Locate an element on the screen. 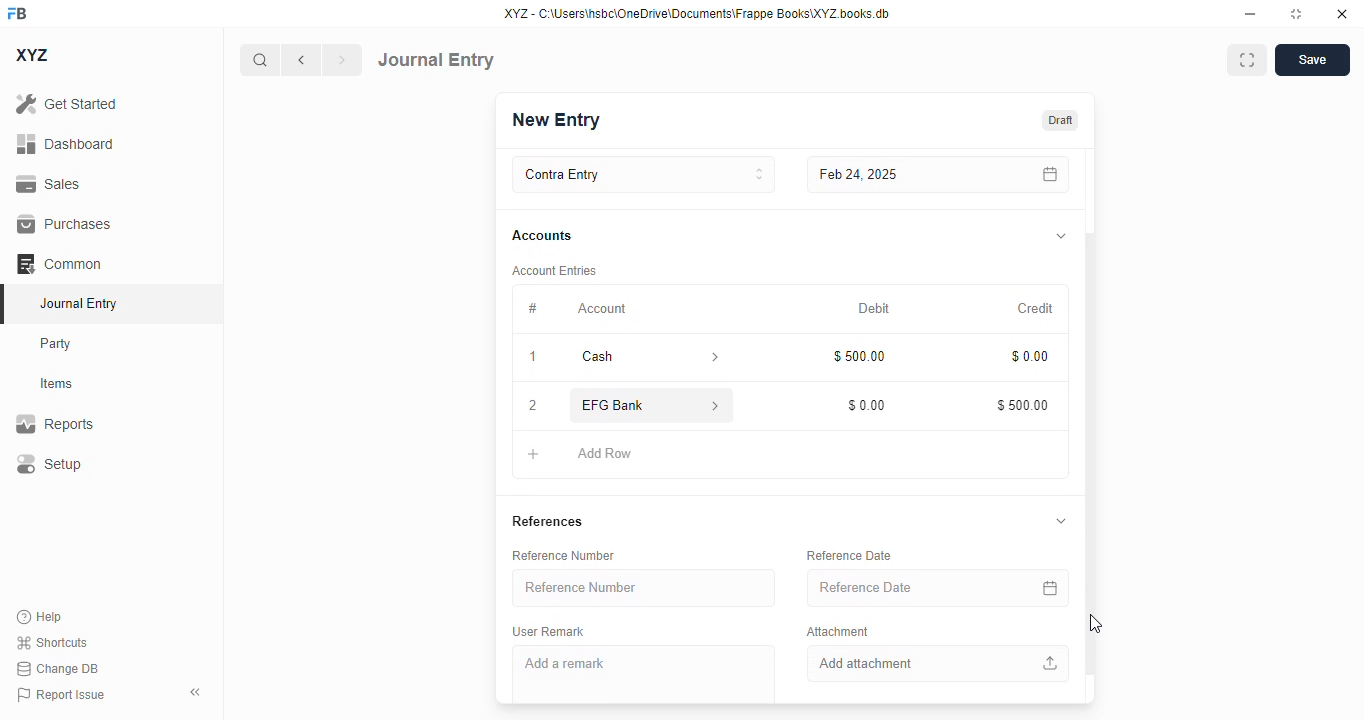 Image resolution: width=1364 pixels, height=720 pixels. maximise window is located at coordinates (1247, 60).